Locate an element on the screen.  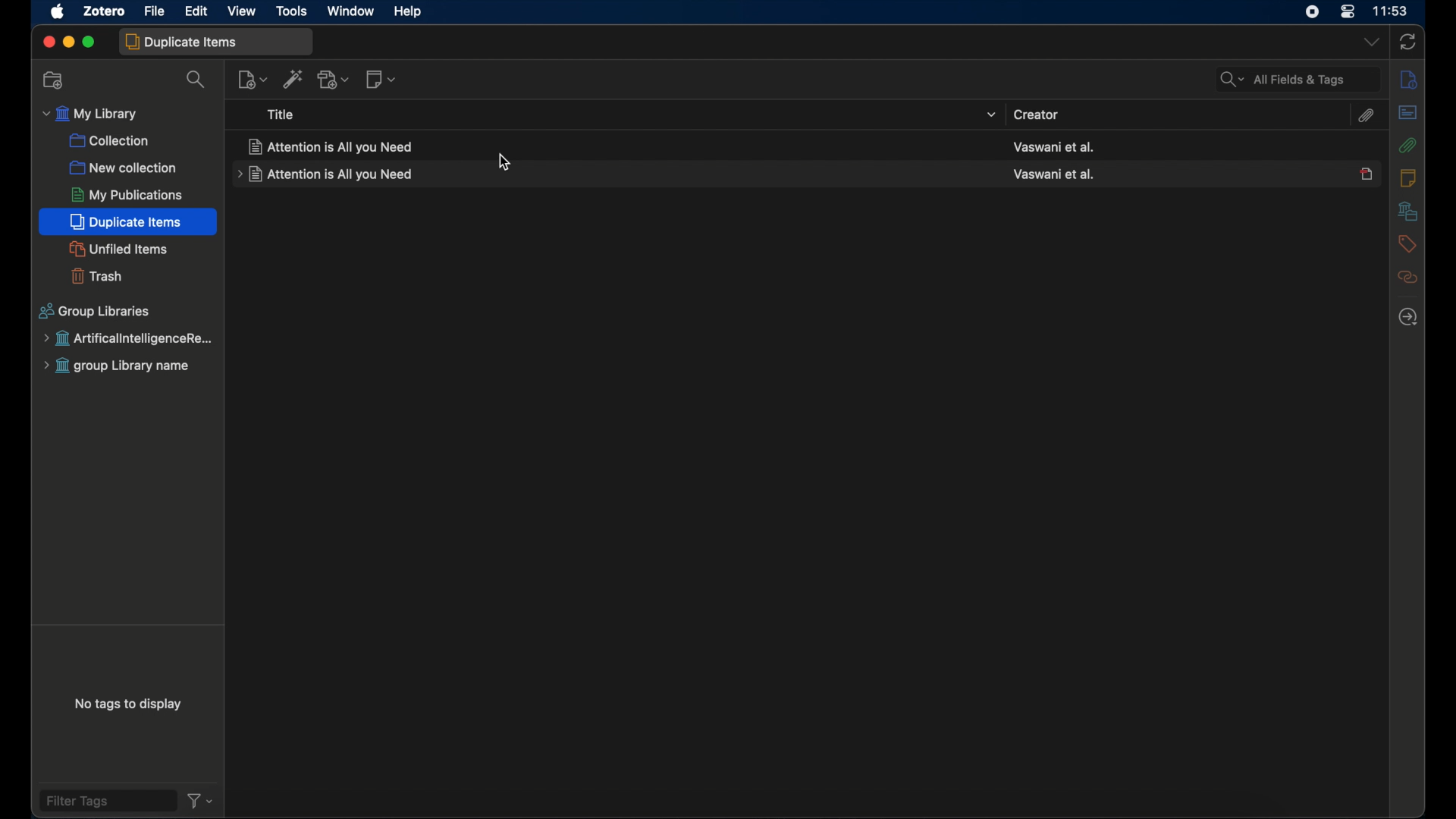
close is located at coordinates (47, 41).